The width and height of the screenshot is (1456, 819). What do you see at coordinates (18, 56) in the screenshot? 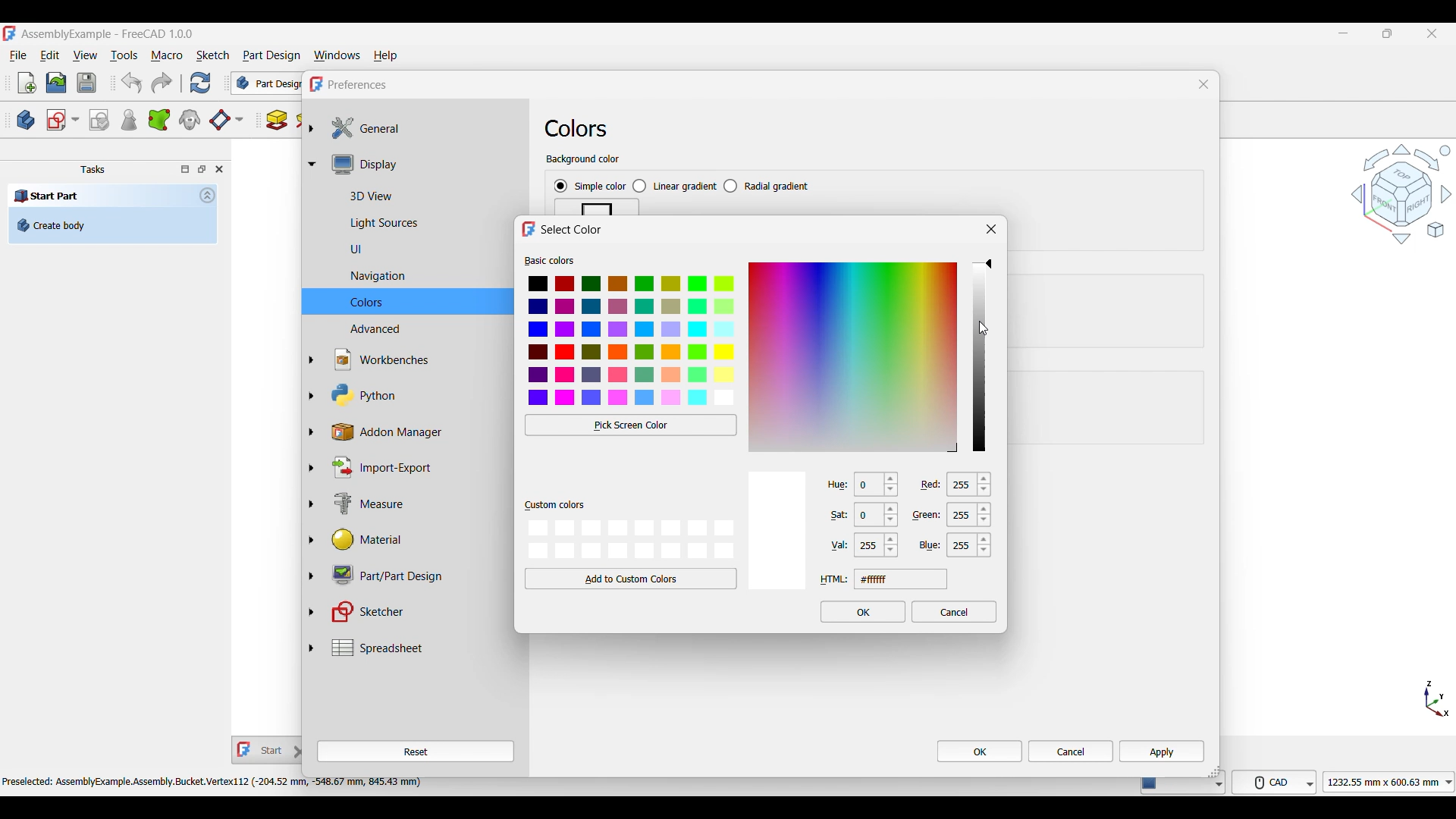
I see `File menu` at bounding box center [18, 56].